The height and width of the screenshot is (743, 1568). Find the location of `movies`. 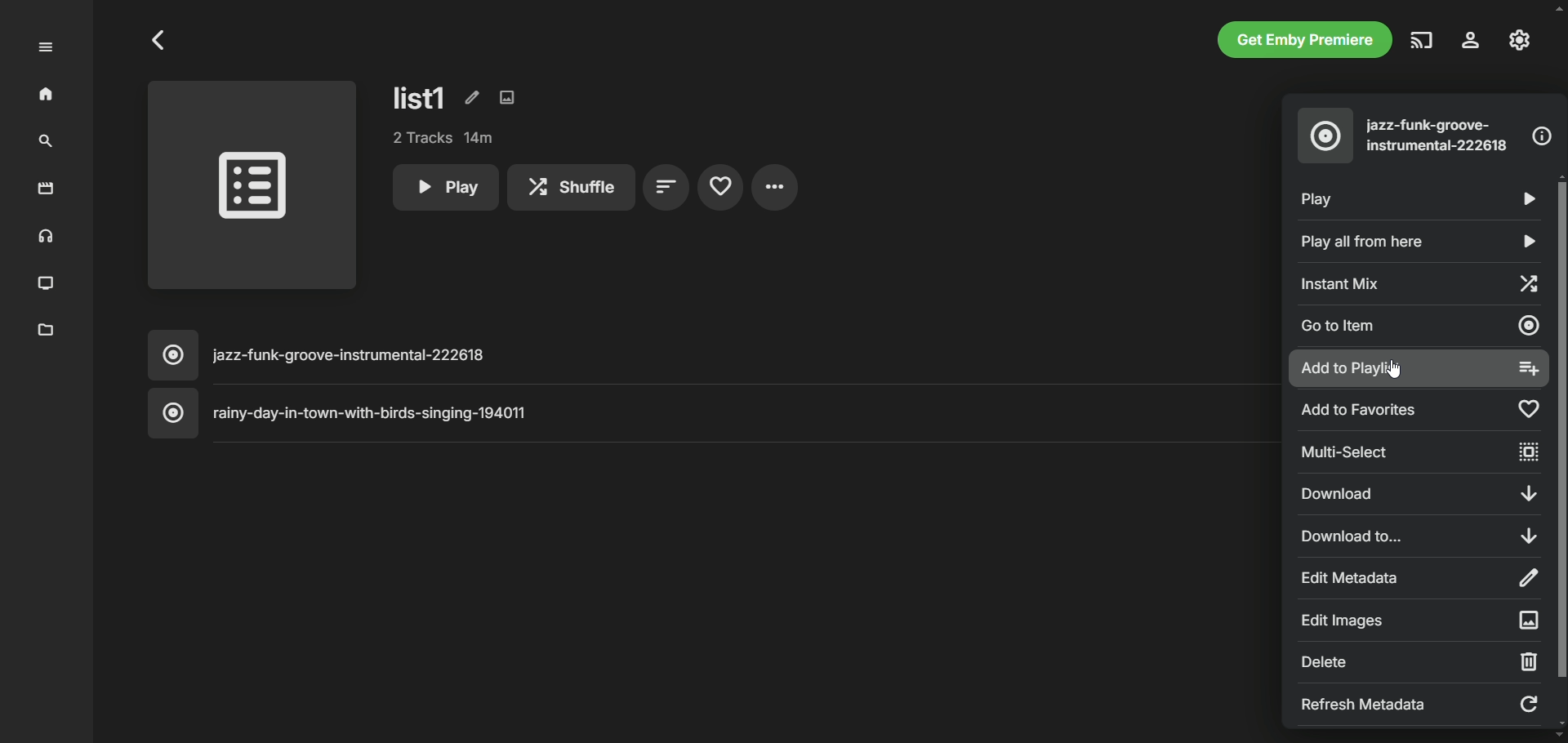

movies is located at coordinates (47, 189).